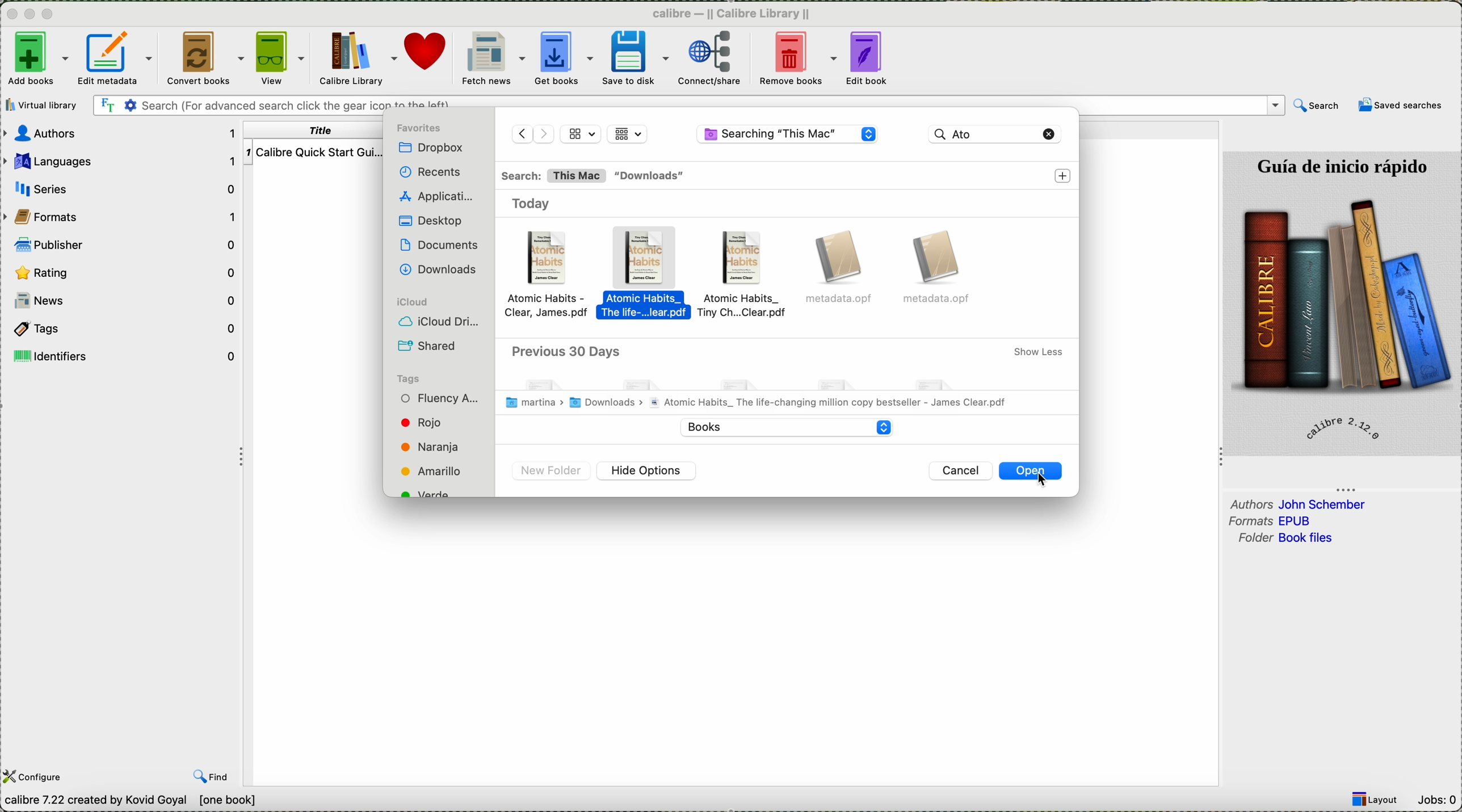 The height and width of the screenshot is (812, 1462). I want to click on formats, so click(1274, 521).